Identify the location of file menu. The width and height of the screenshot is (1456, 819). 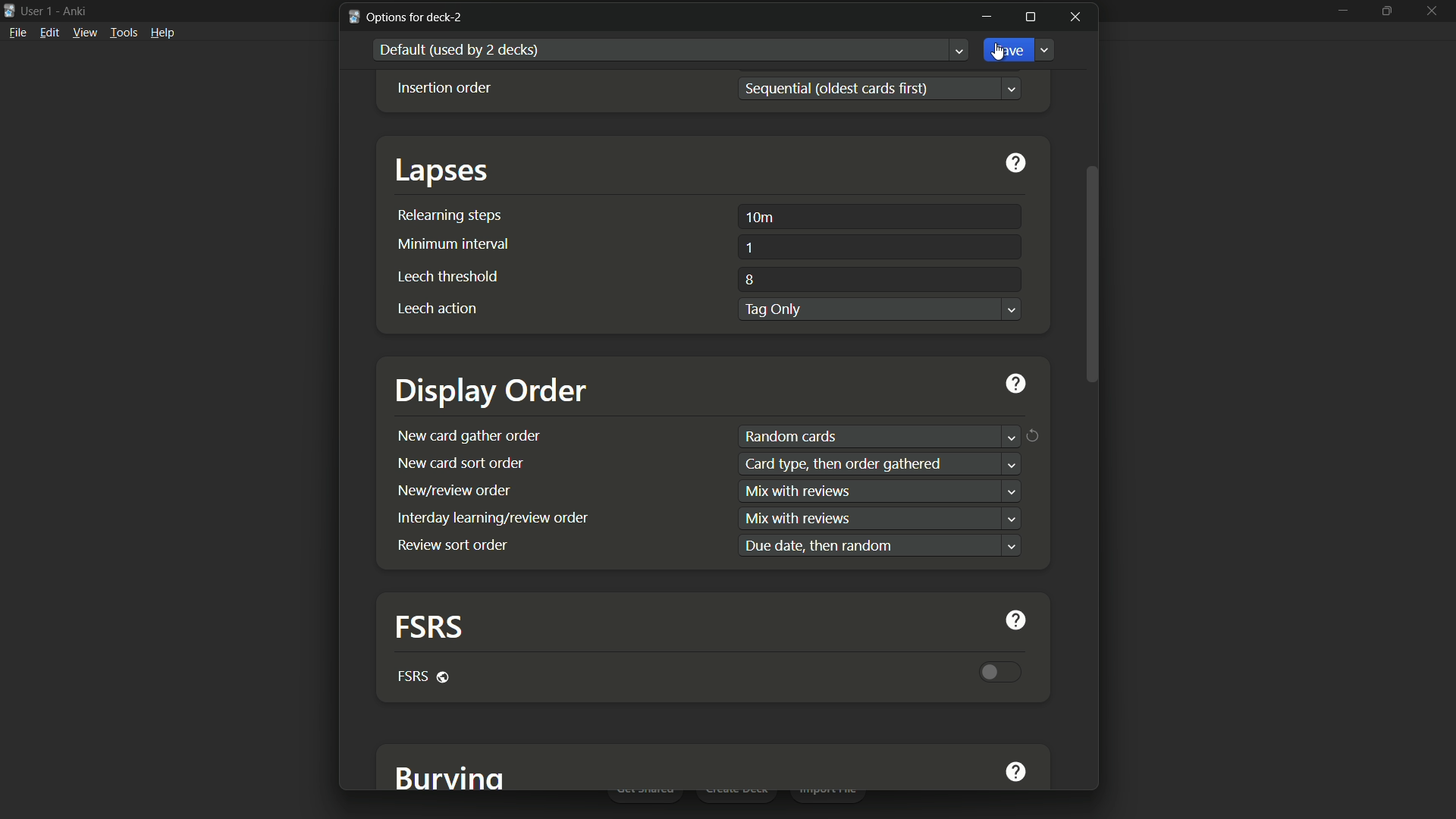
(17, 33).